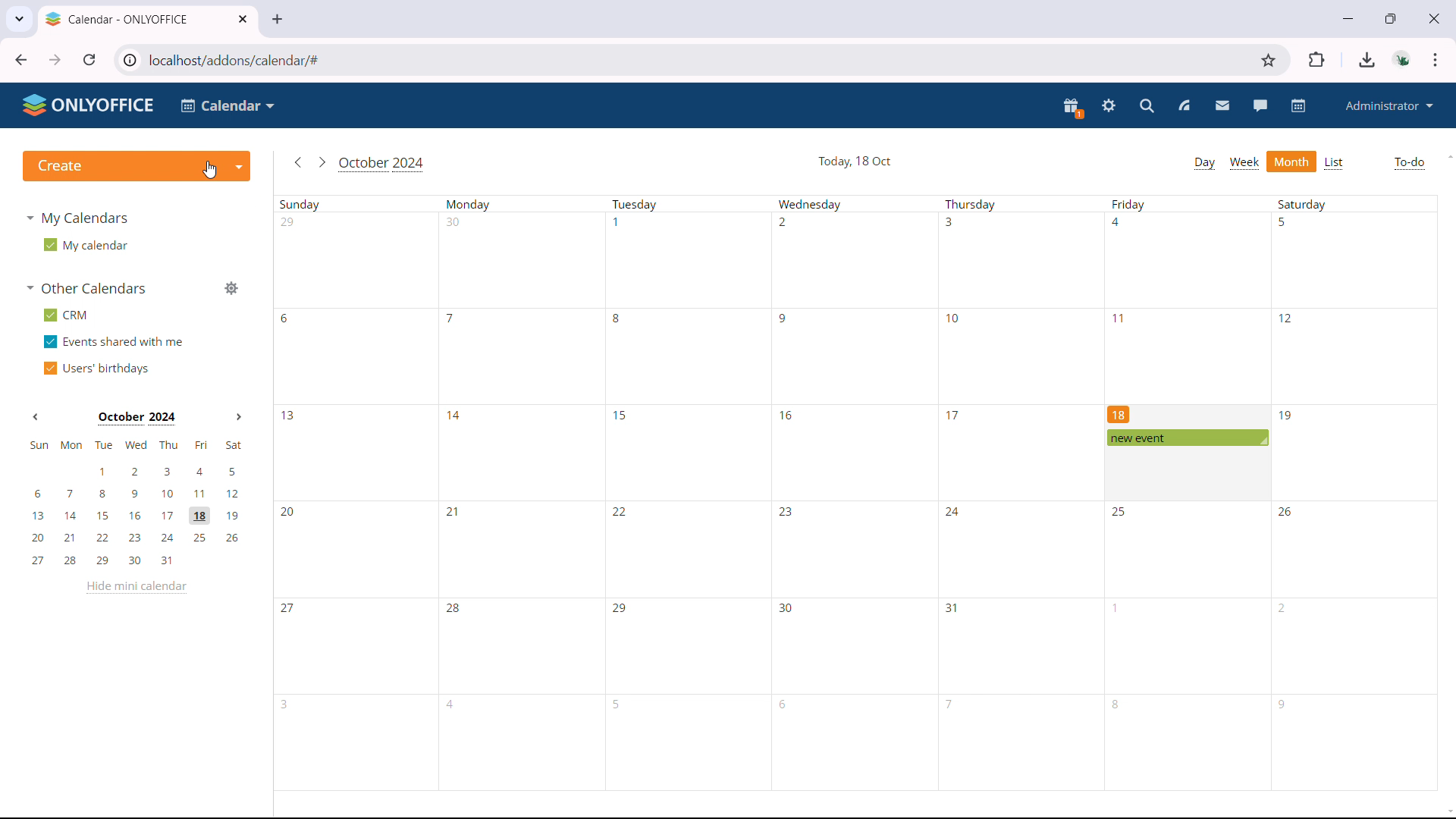 Image resolution: width=1456 pixels, height=819 pixels. I want to click on 22, so click(620, 512).